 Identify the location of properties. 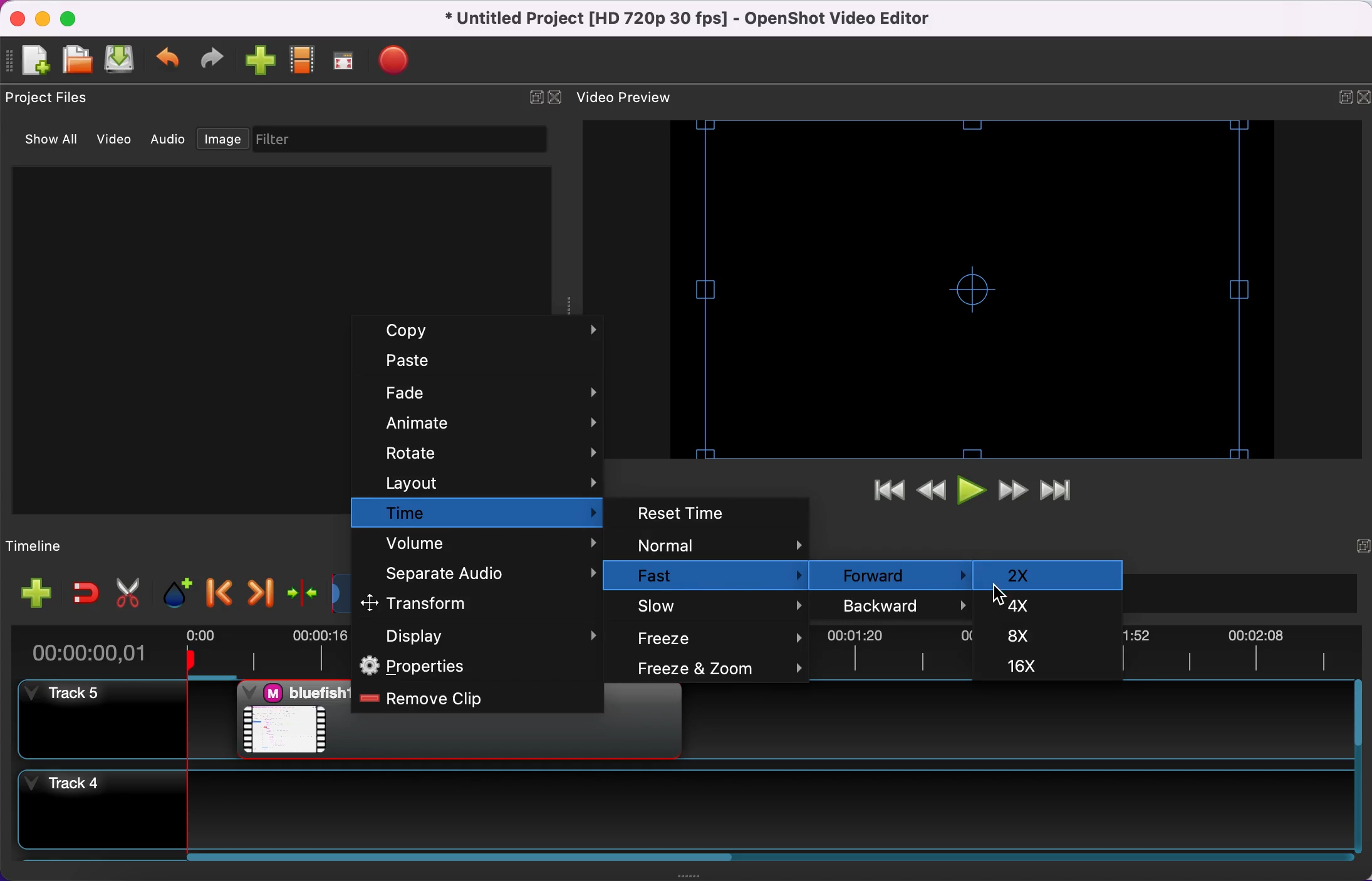
(479, 667).